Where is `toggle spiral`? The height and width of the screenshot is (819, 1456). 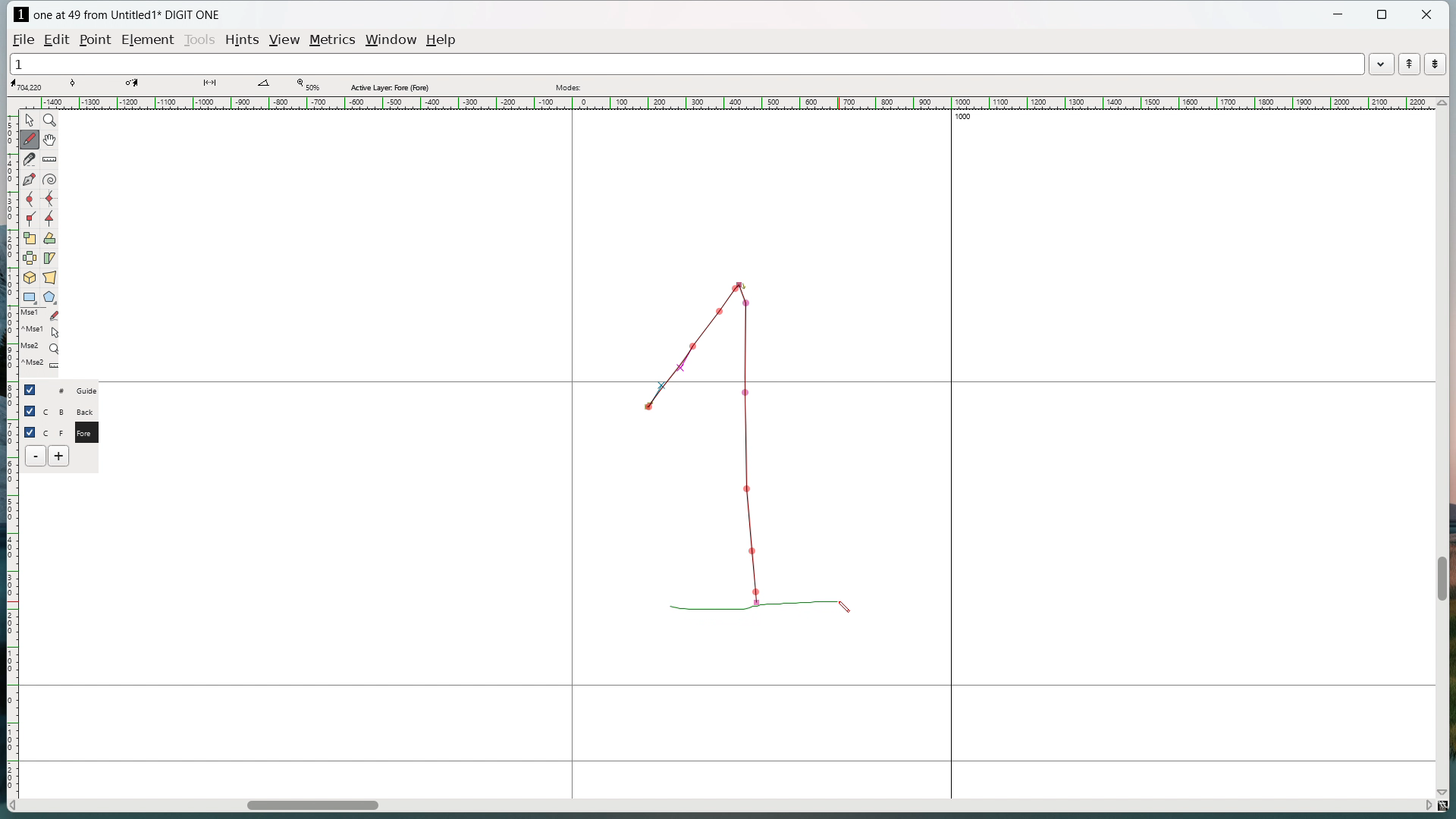 toggle spiral is located at coordinates (50, 180).